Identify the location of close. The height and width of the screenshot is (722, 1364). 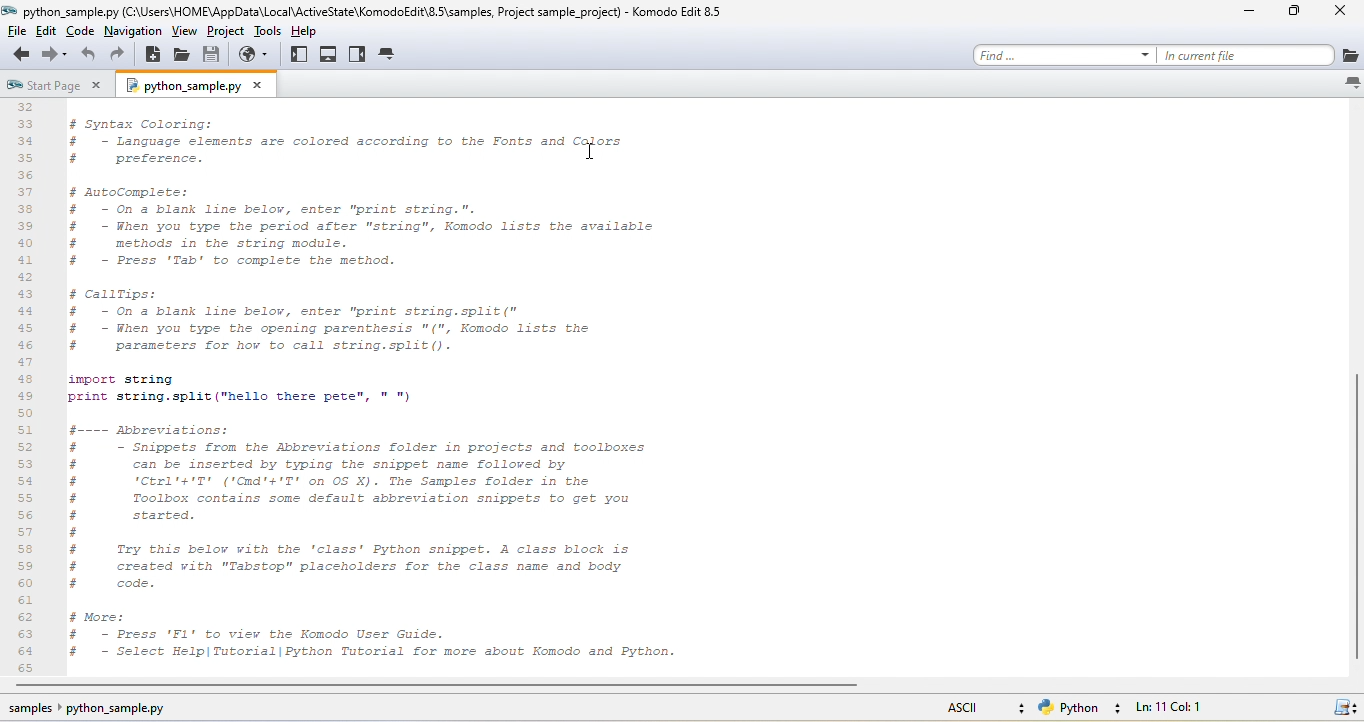
(1337, 14).